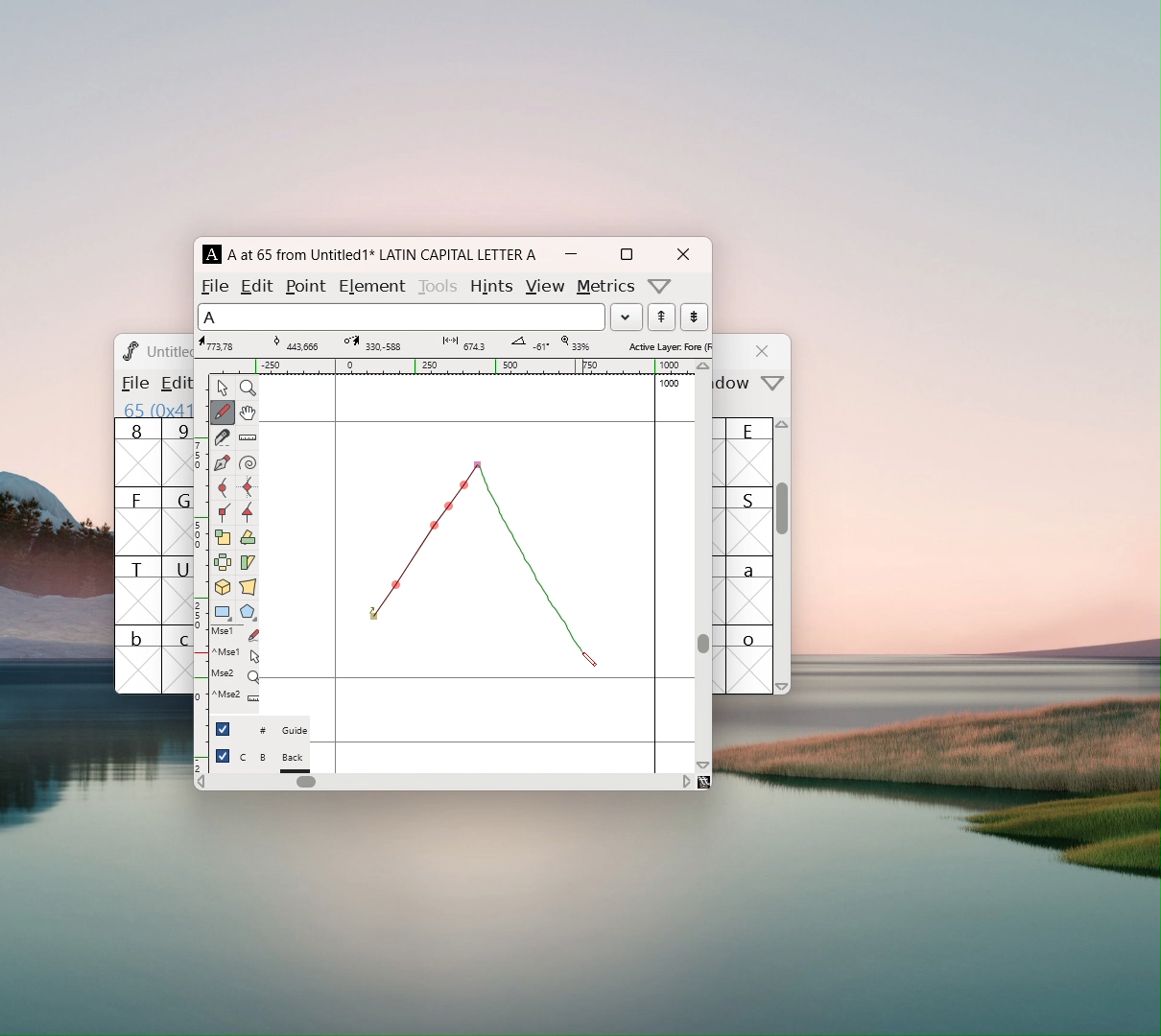  What do you see at coordinates (589, 660) in the screenshot?
I see `cursor` at bounding box center [589, 660].